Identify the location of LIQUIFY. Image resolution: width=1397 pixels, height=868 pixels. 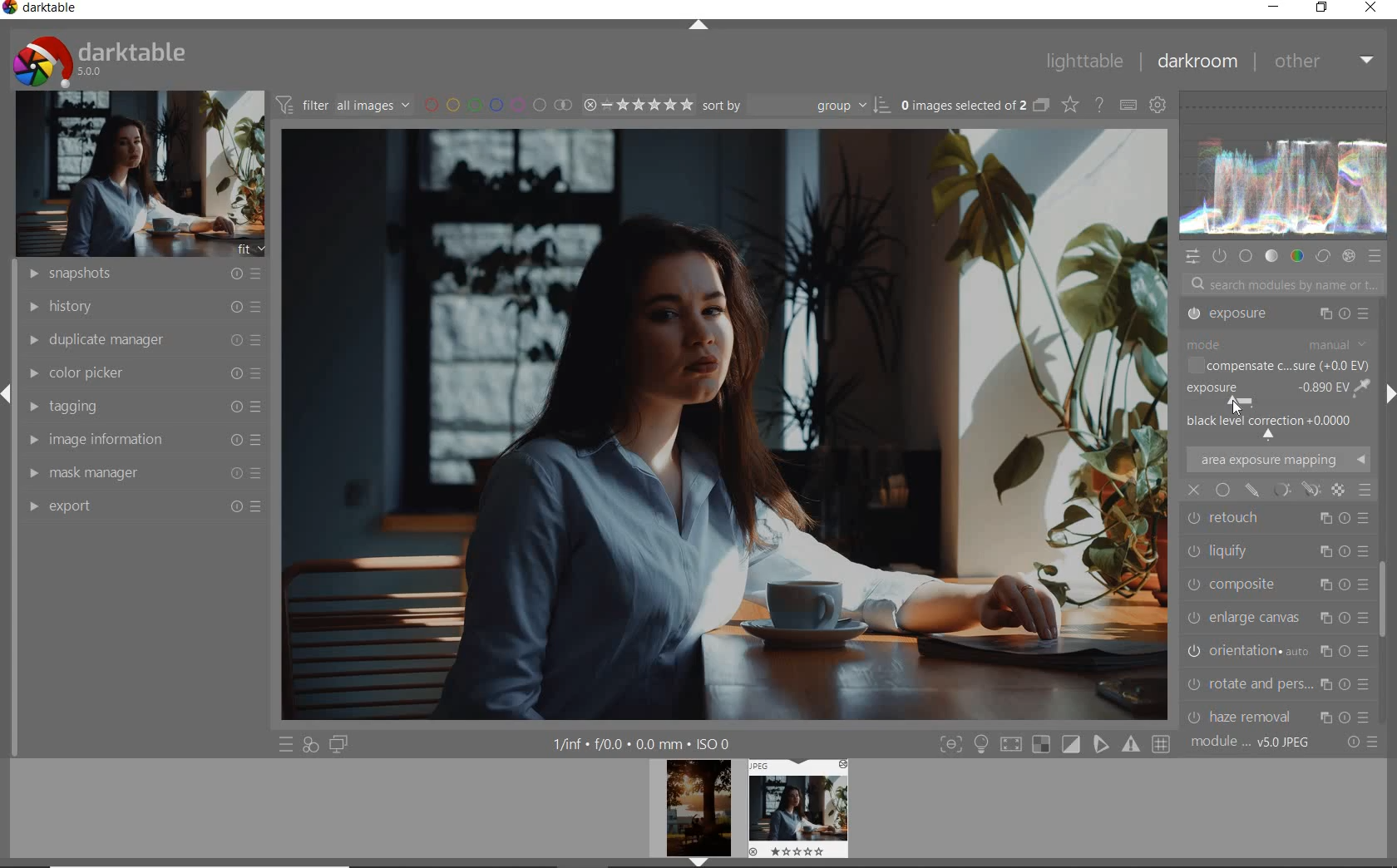
(1274, 457).